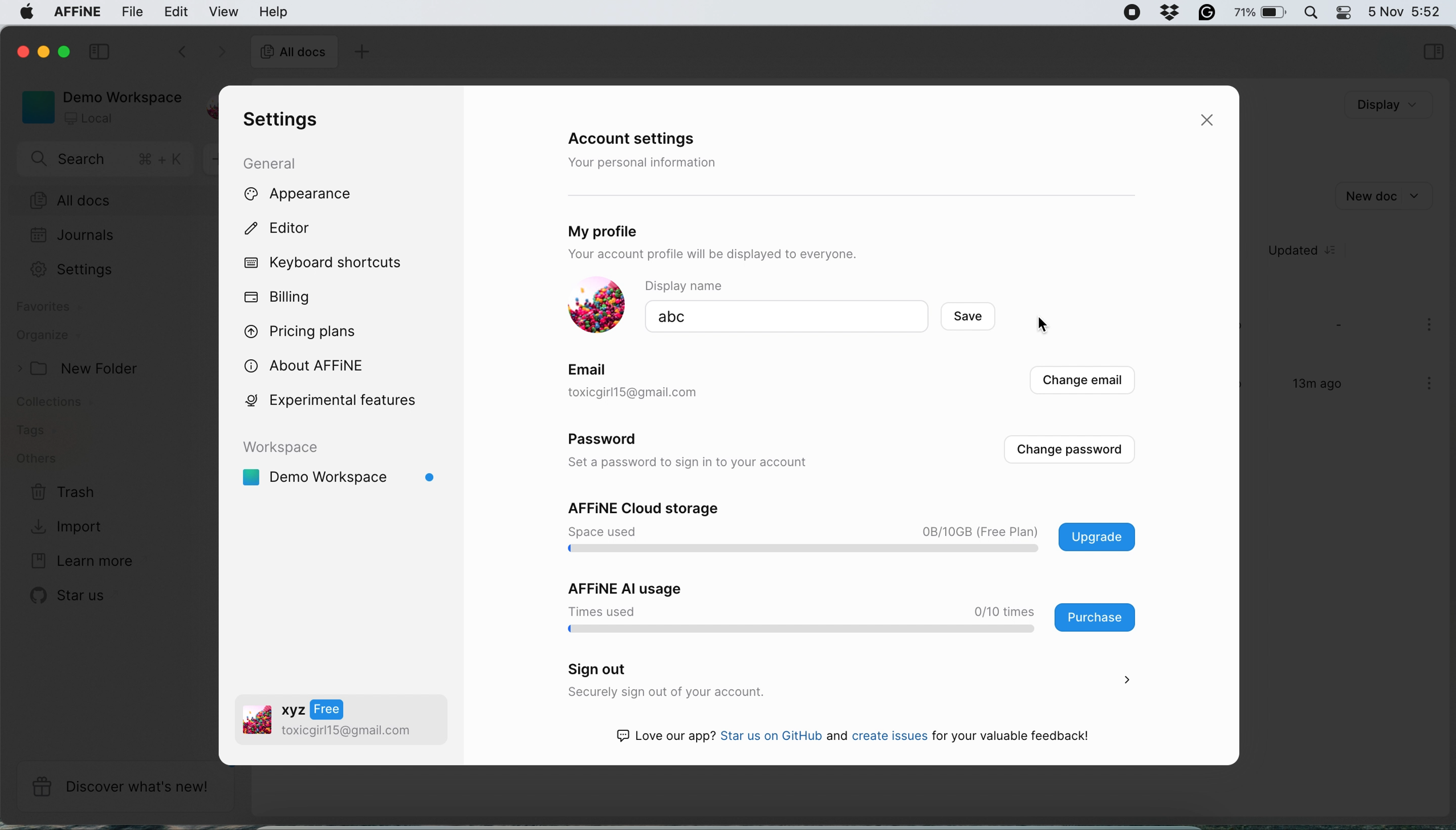 This screenshot has height=830, width=1456. What do you see at coordinates (1382, 194) in the screenshot?
I see `new doc` at bounding box center [1382, 194].